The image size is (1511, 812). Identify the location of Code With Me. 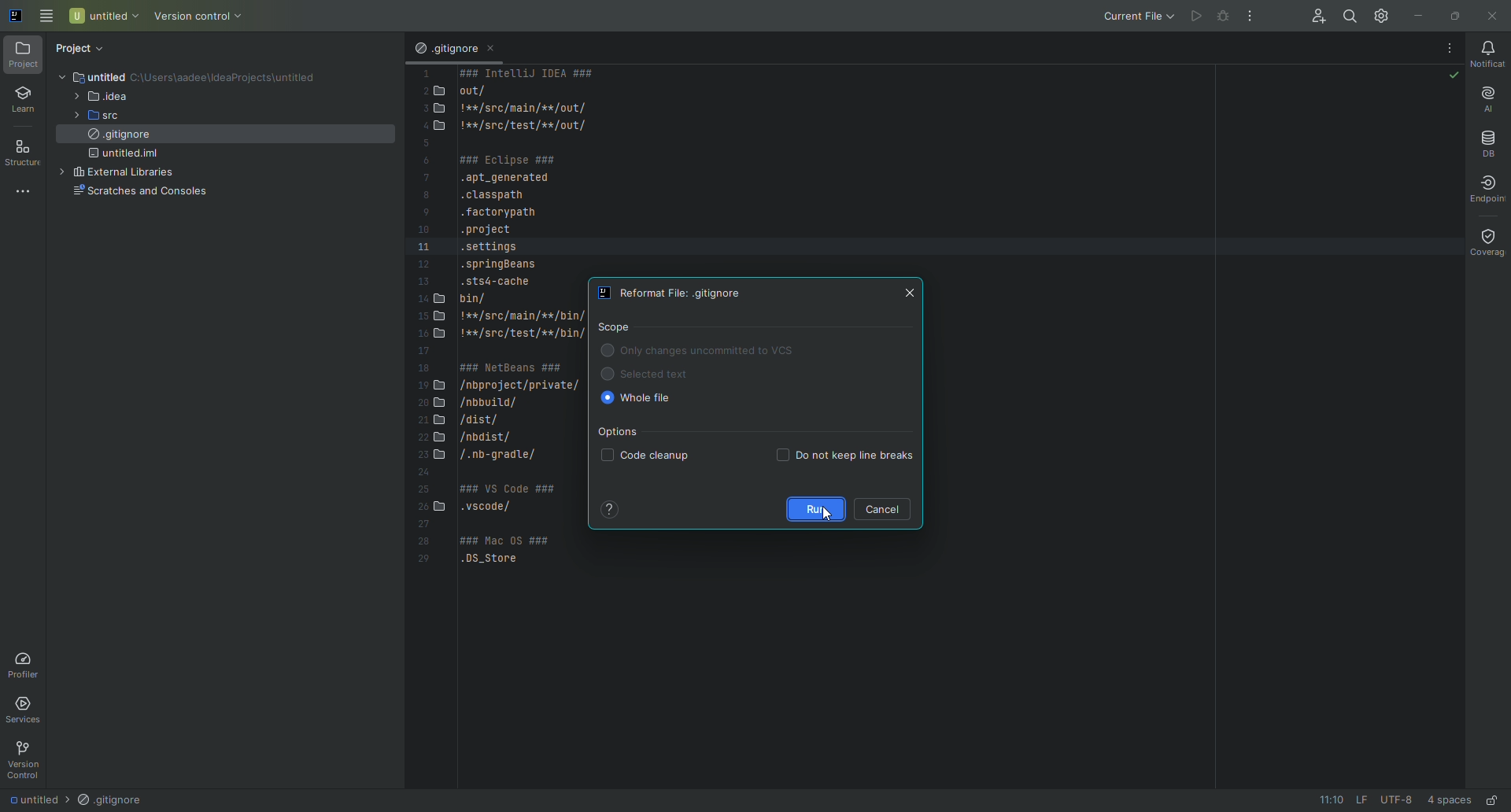
(1308, 15).